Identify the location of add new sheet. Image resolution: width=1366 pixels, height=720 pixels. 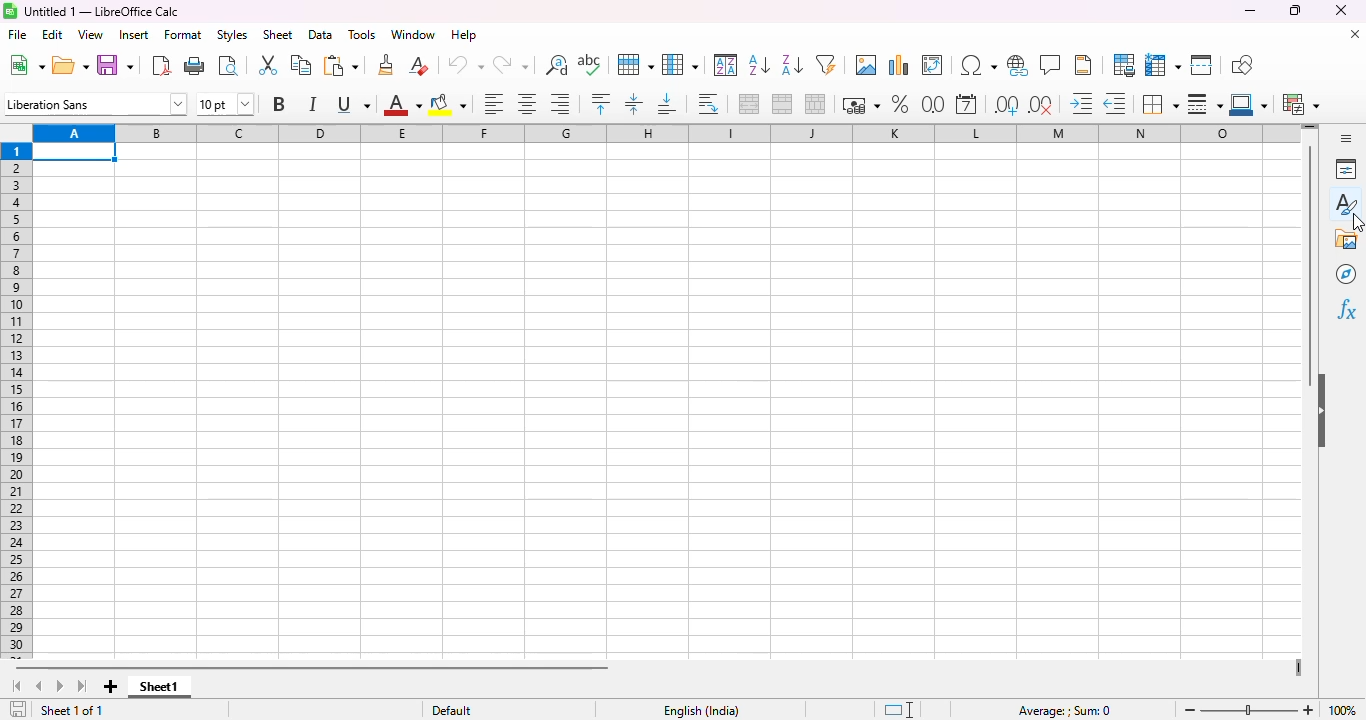
(111, 687).